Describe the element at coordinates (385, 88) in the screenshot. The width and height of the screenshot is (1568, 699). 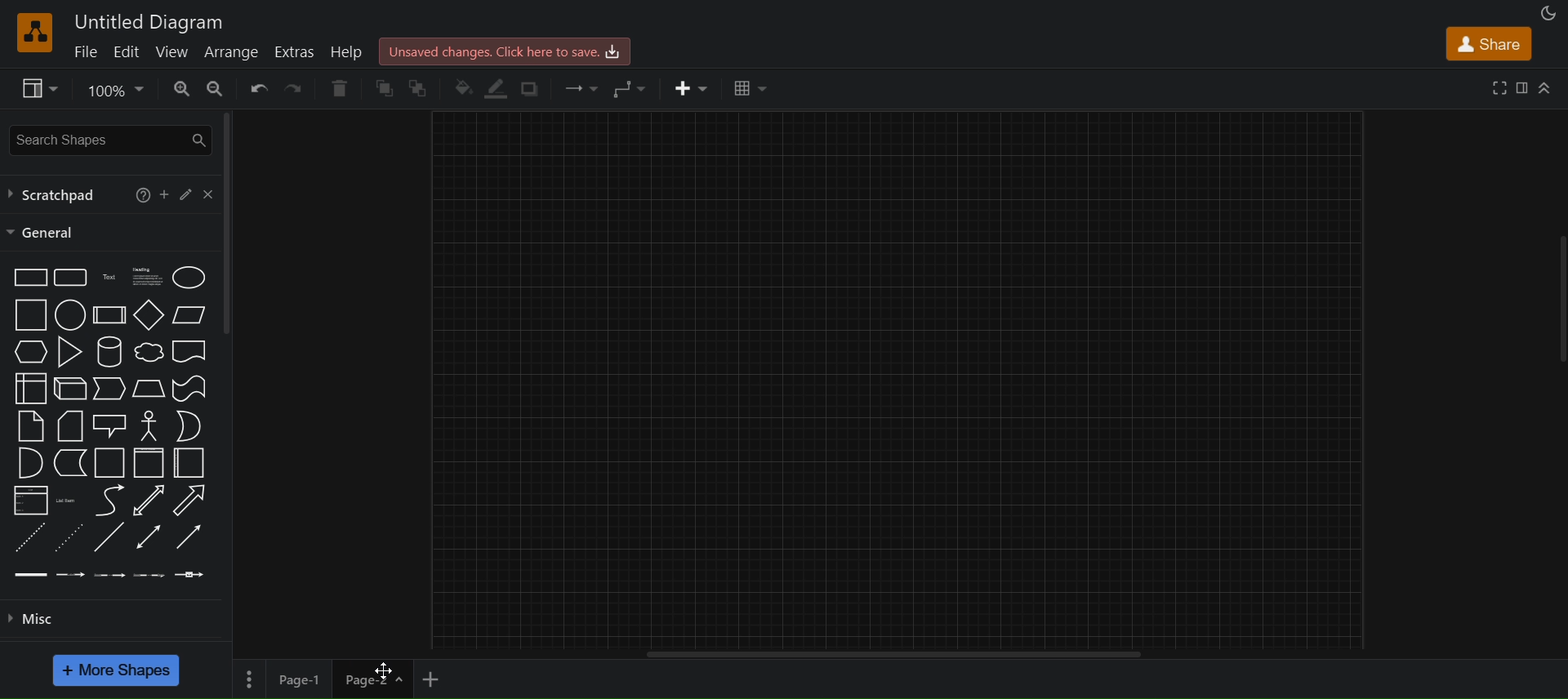
I see `to front` at that location.